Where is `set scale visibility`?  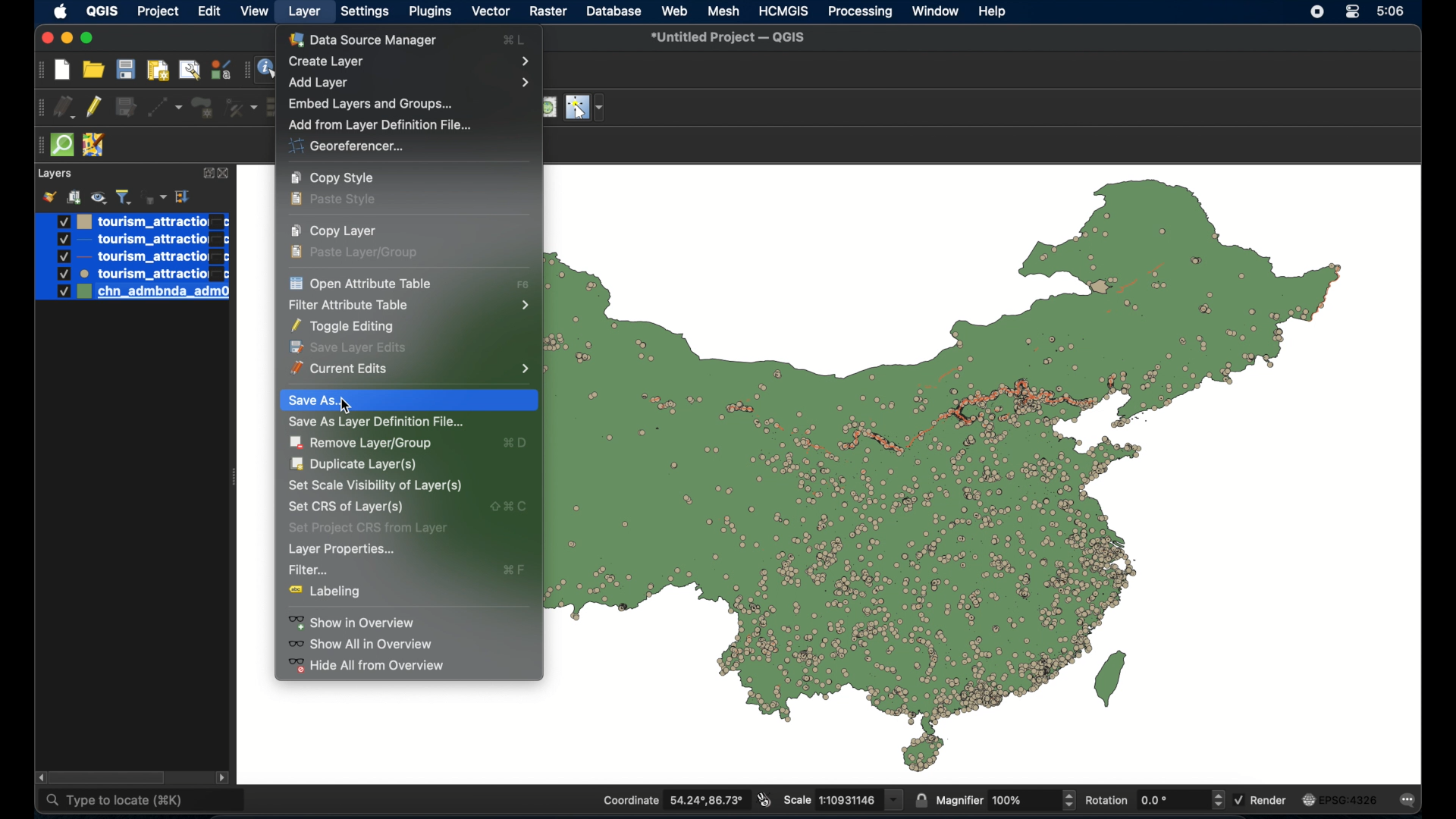
set scale visibility is located at coordinates (375, 485).